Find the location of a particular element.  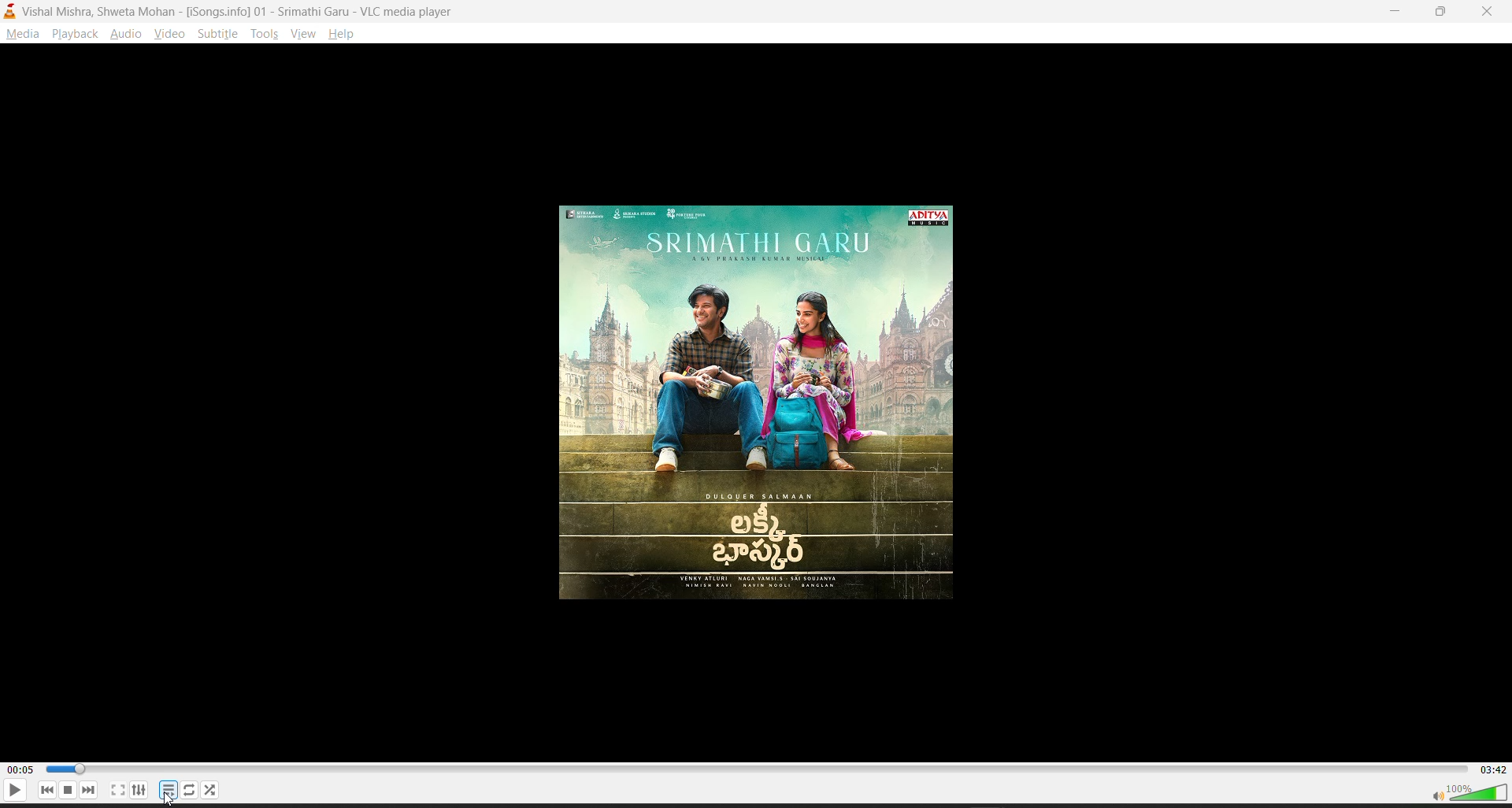

playlist is located at coordinates (167, 788).